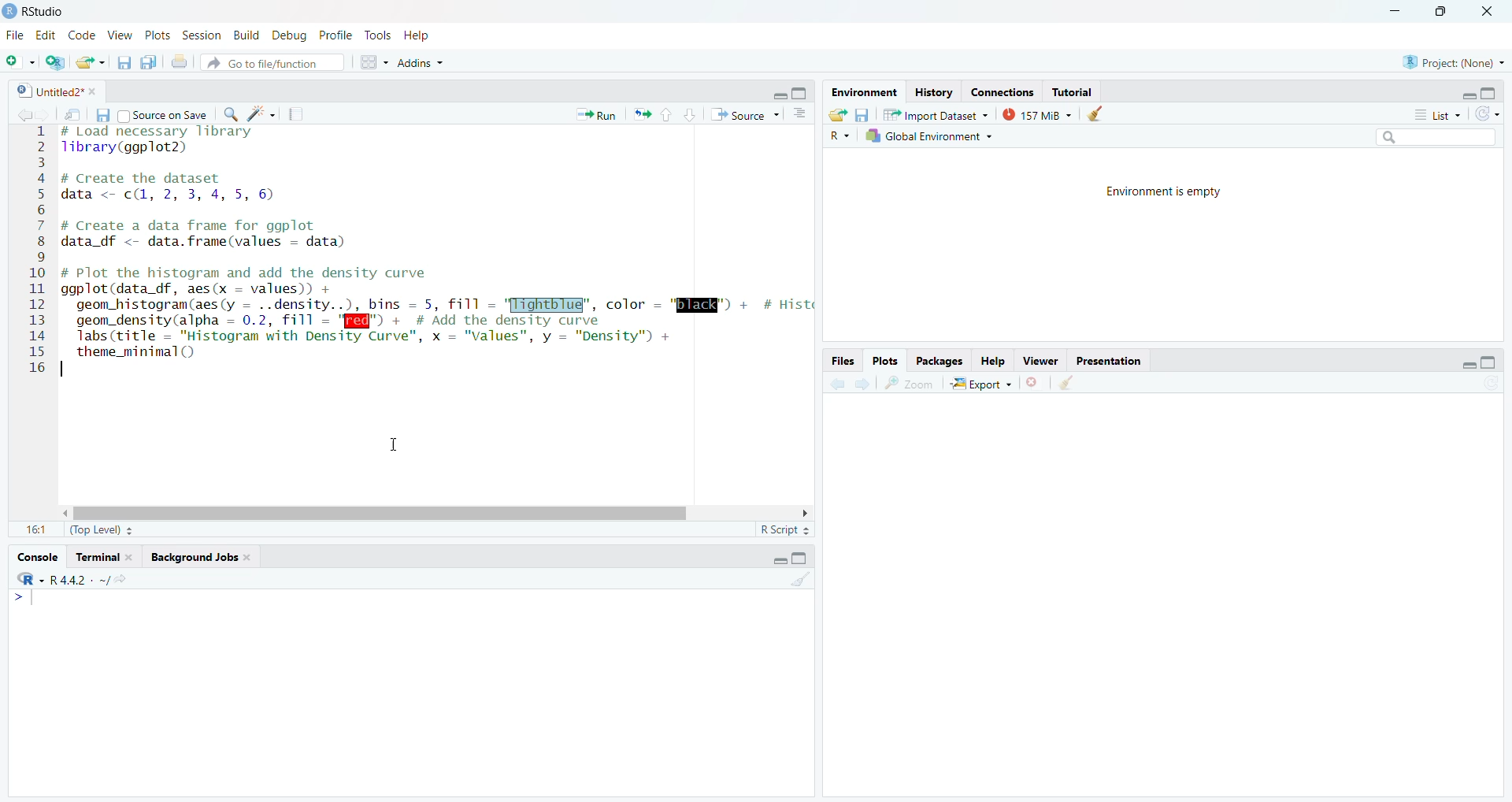  I want to click on maximize, so click(799, 555).